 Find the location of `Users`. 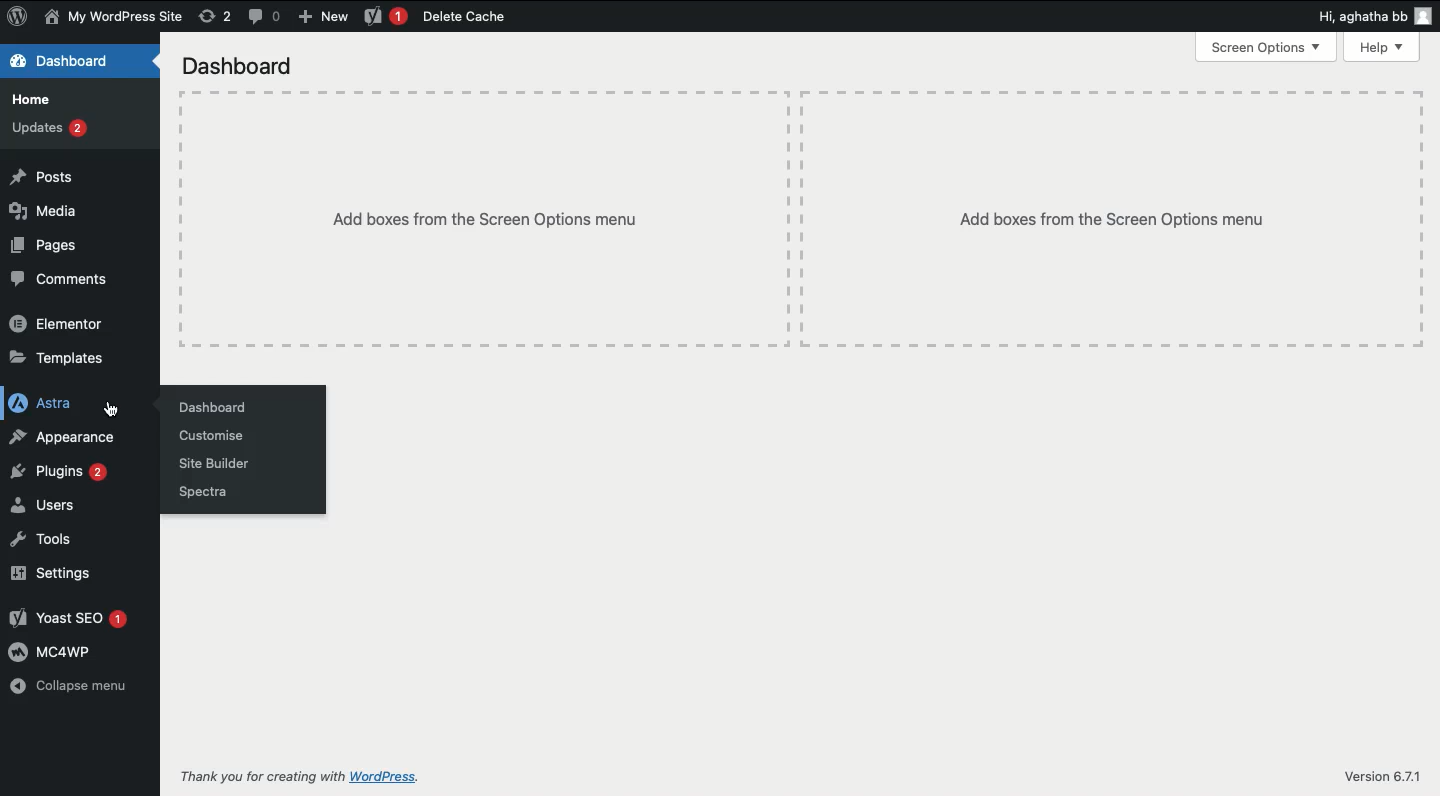

Users is located at coordinates (49, 505).